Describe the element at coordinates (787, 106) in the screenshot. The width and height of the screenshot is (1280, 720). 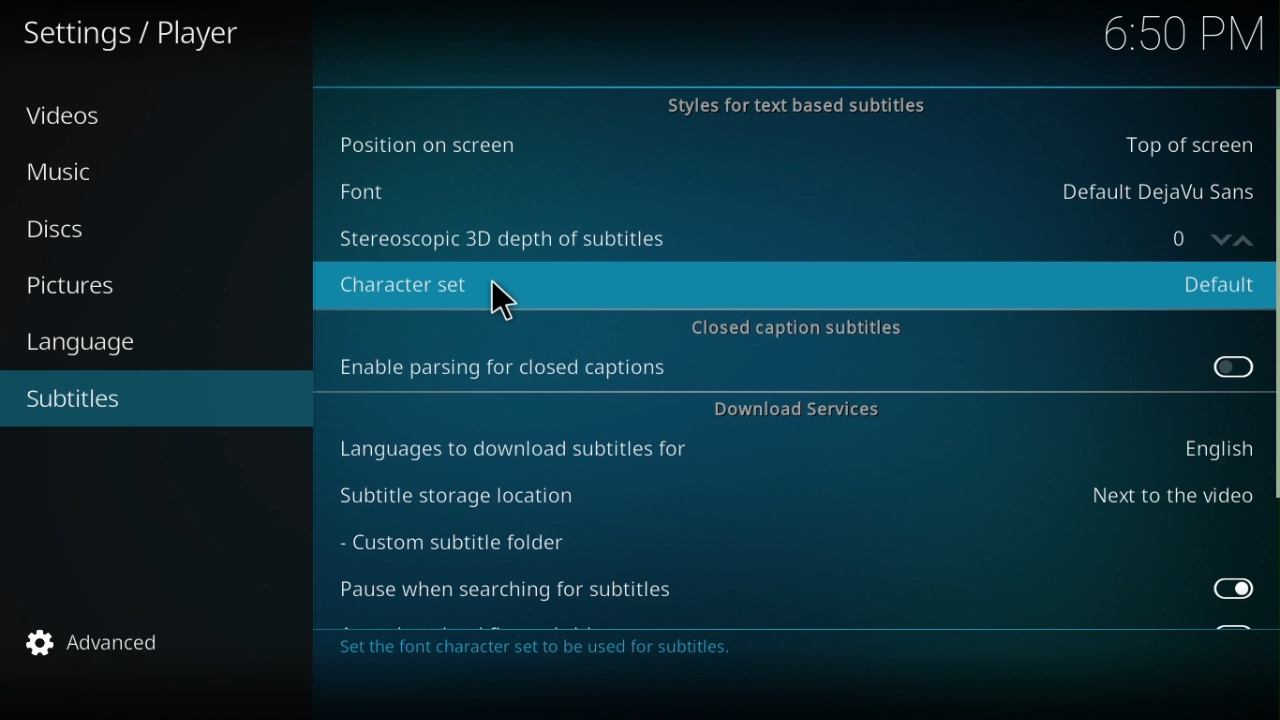
I see `Styles for the text based subtitles` at that location.